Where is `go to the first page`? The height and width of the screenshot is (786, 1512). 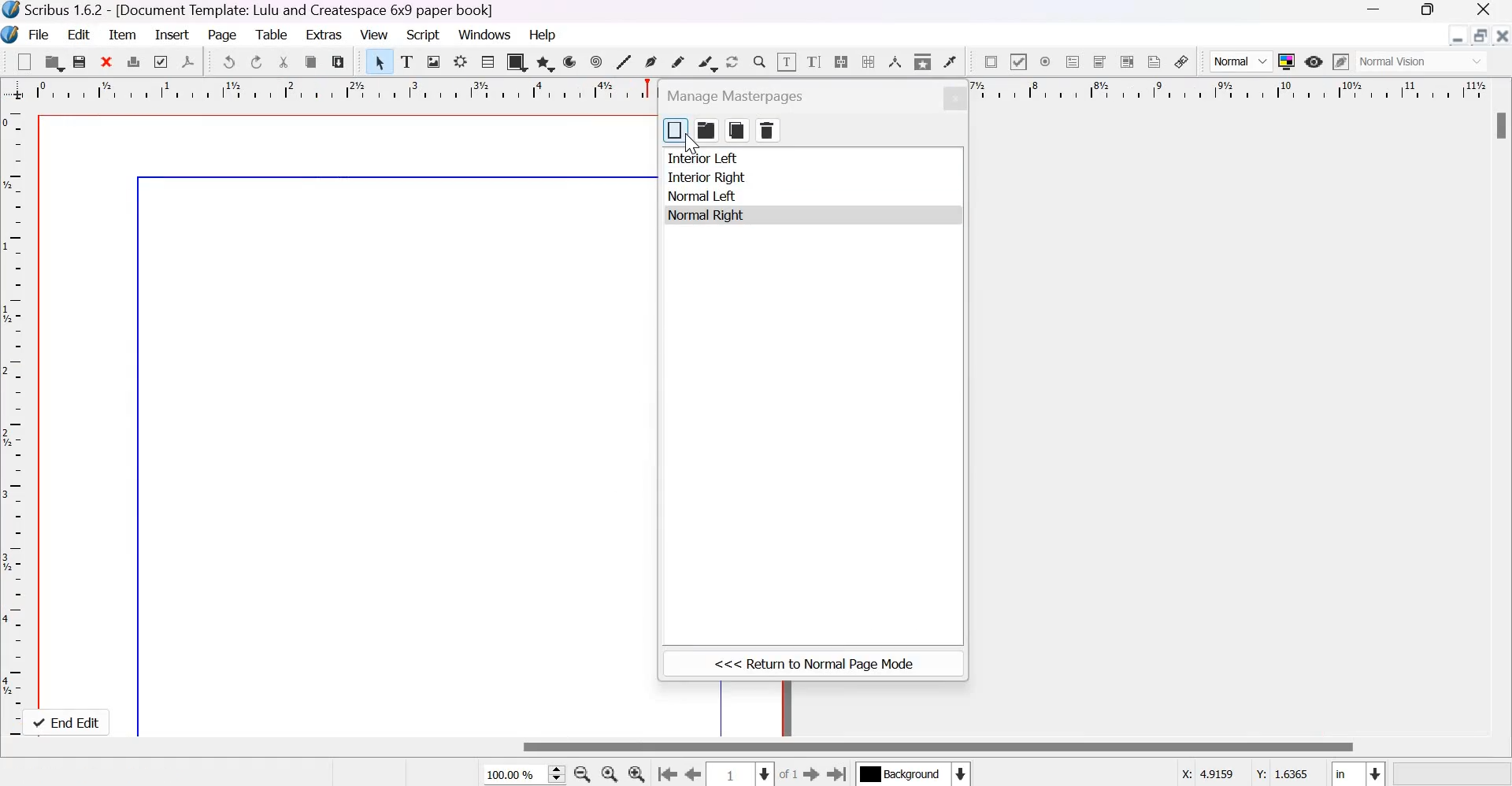
go to the first page is located at coordinates (665, 773).